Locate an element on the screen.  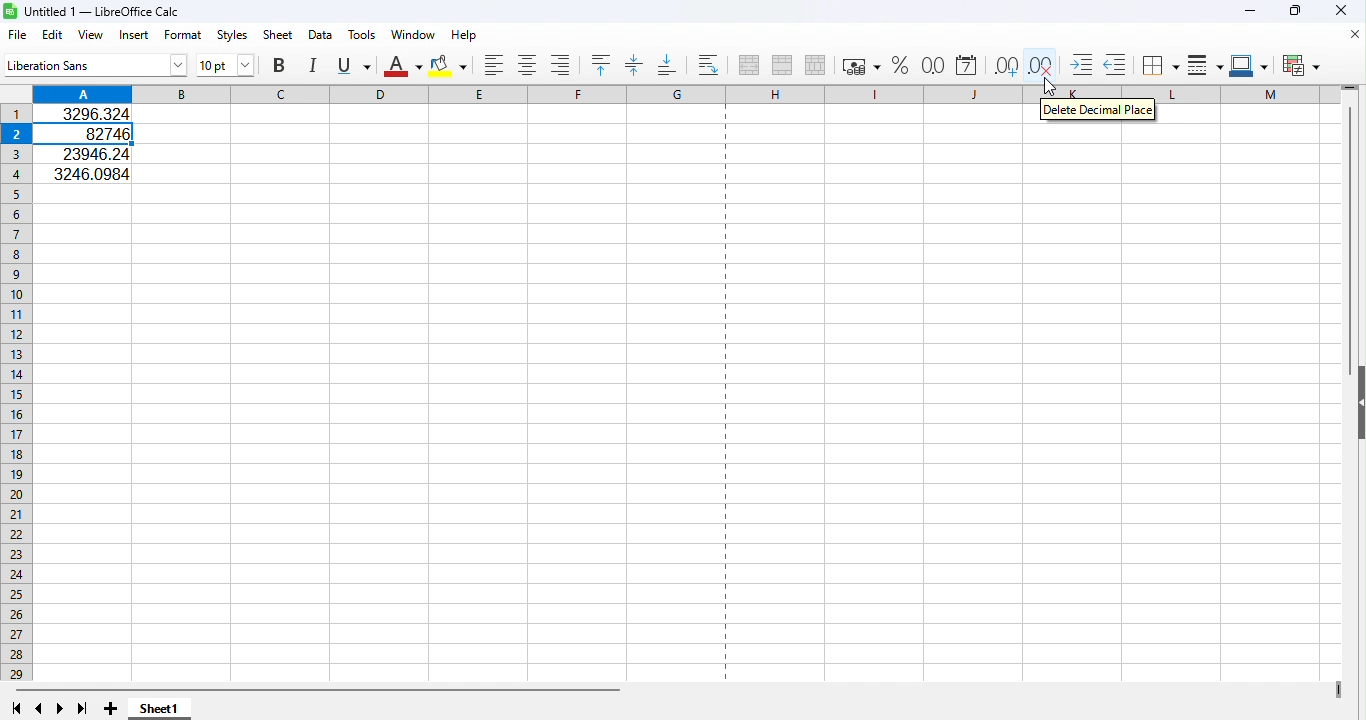
Scroll to next sheet is located at coordinates (63, 709).